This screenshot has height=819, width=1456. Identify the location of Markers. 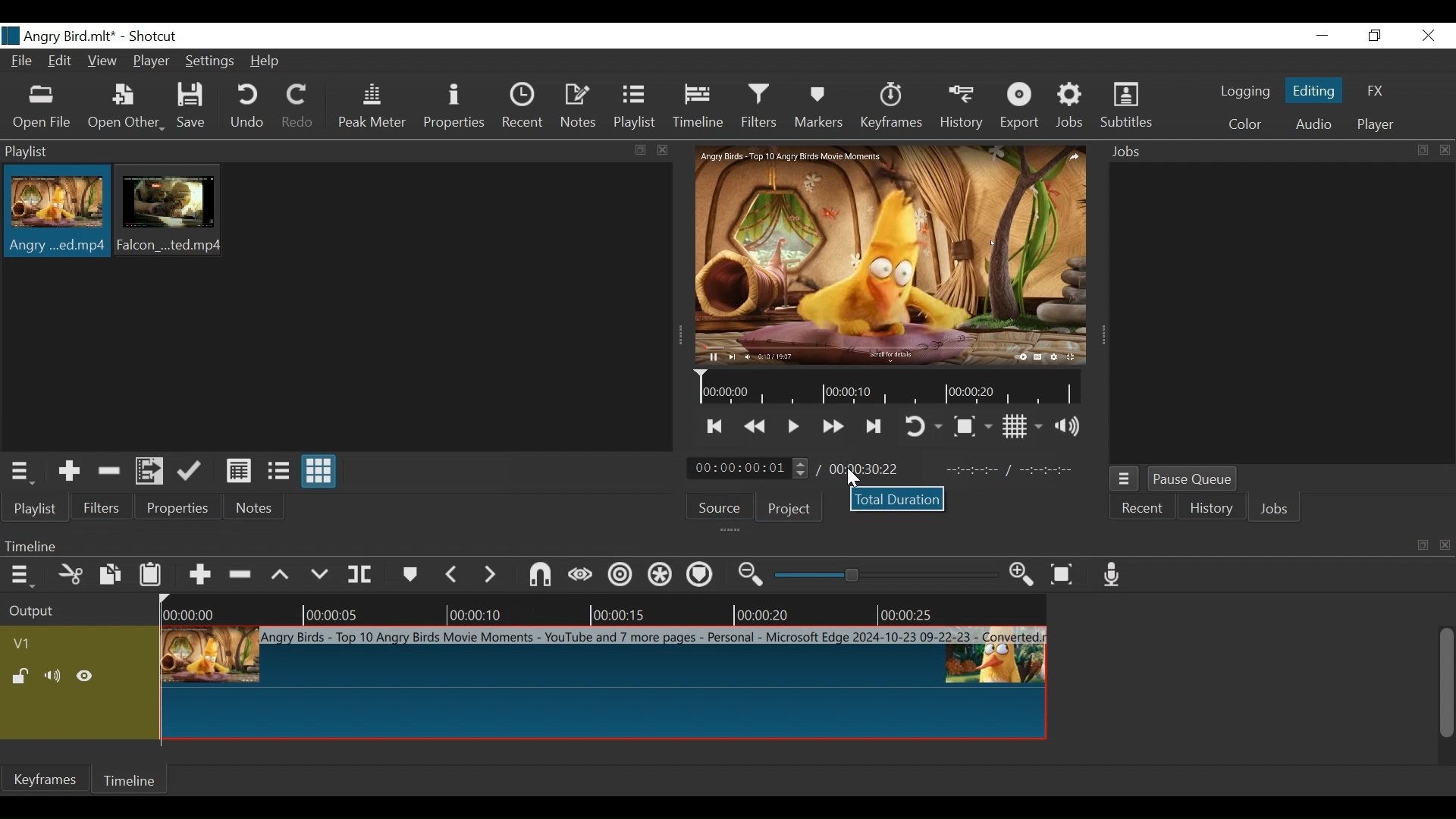
(411, 575).